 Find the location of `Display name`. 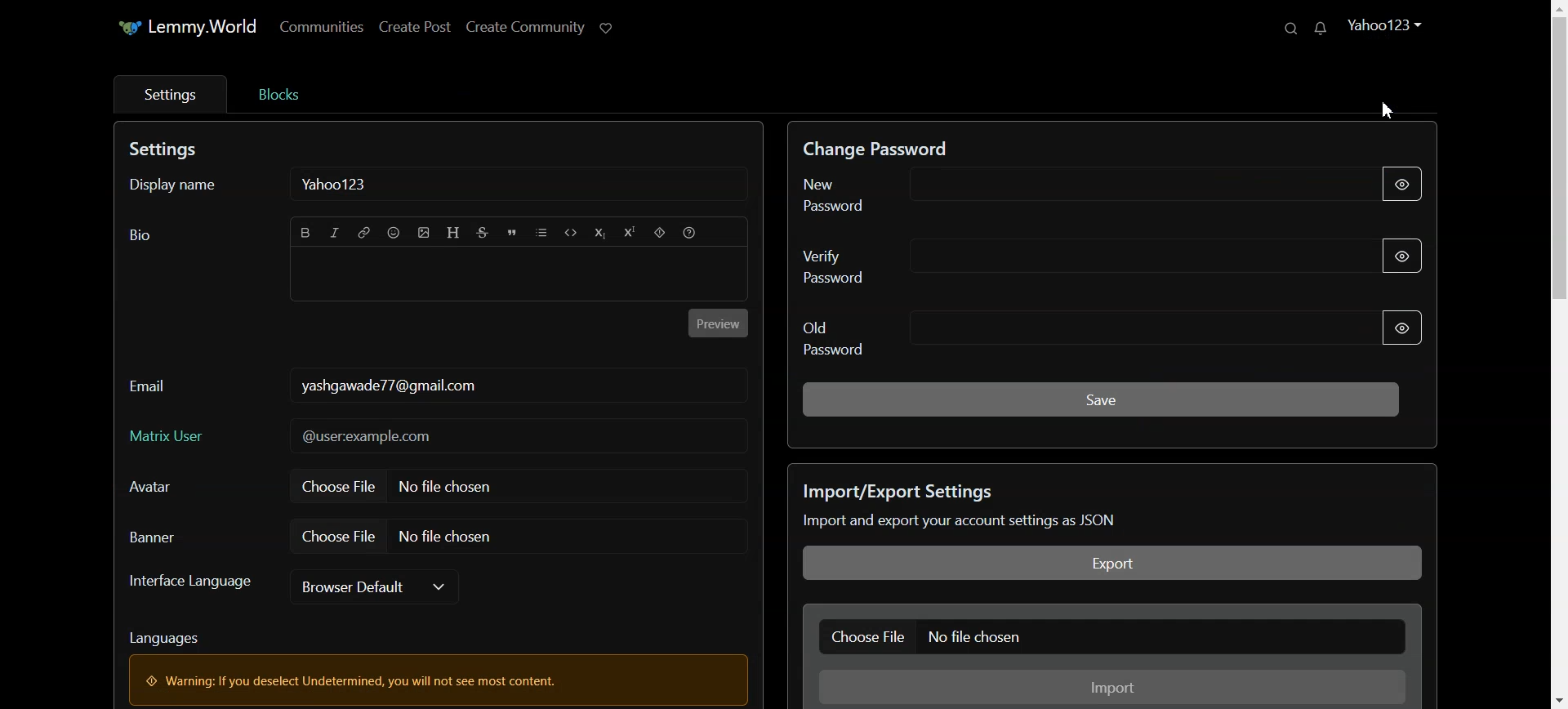

Display name is located at coordinates (202, 185).